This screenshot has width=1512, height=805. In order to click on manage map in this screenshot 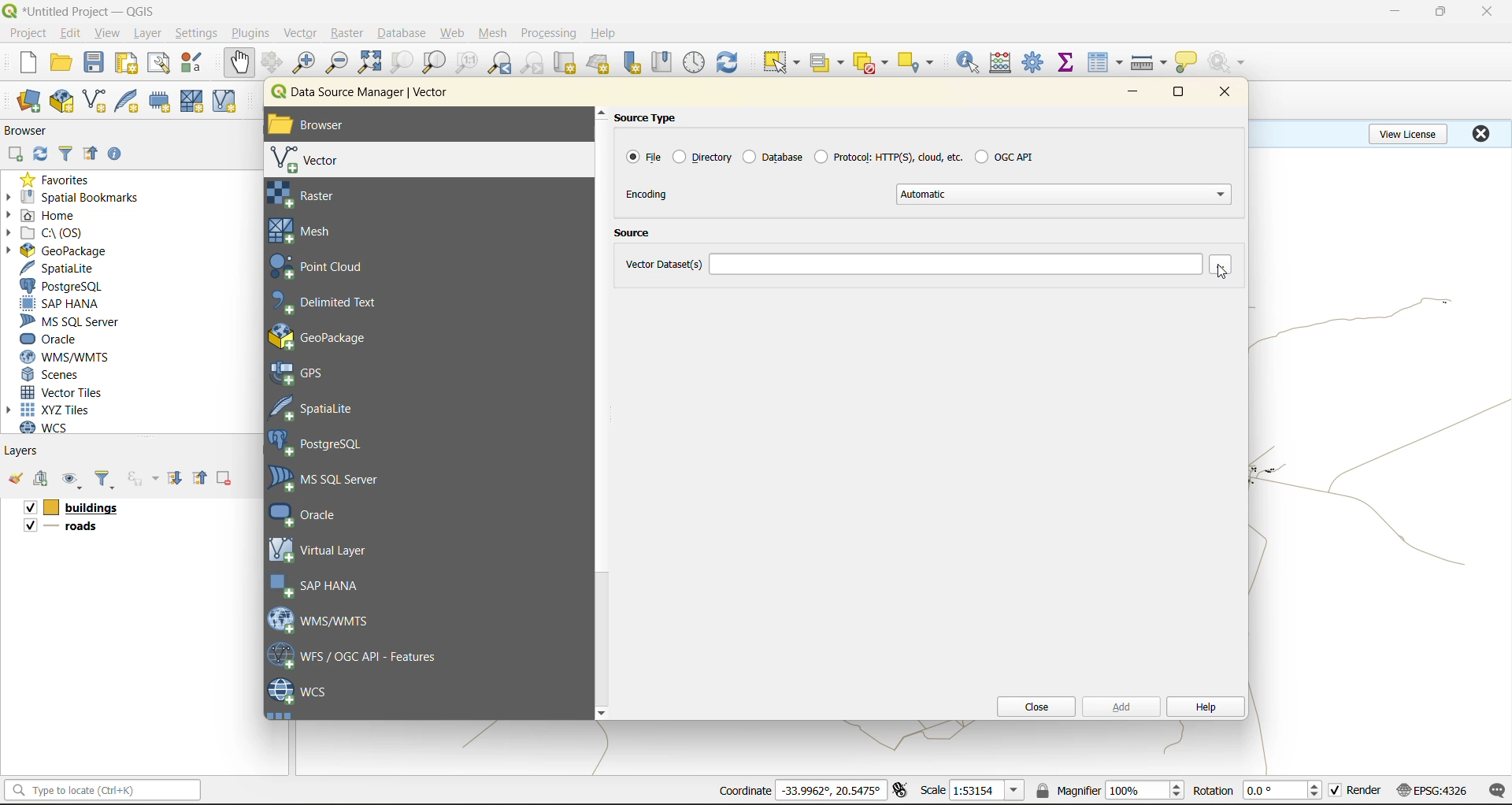, I will do `click(74, 480)`.